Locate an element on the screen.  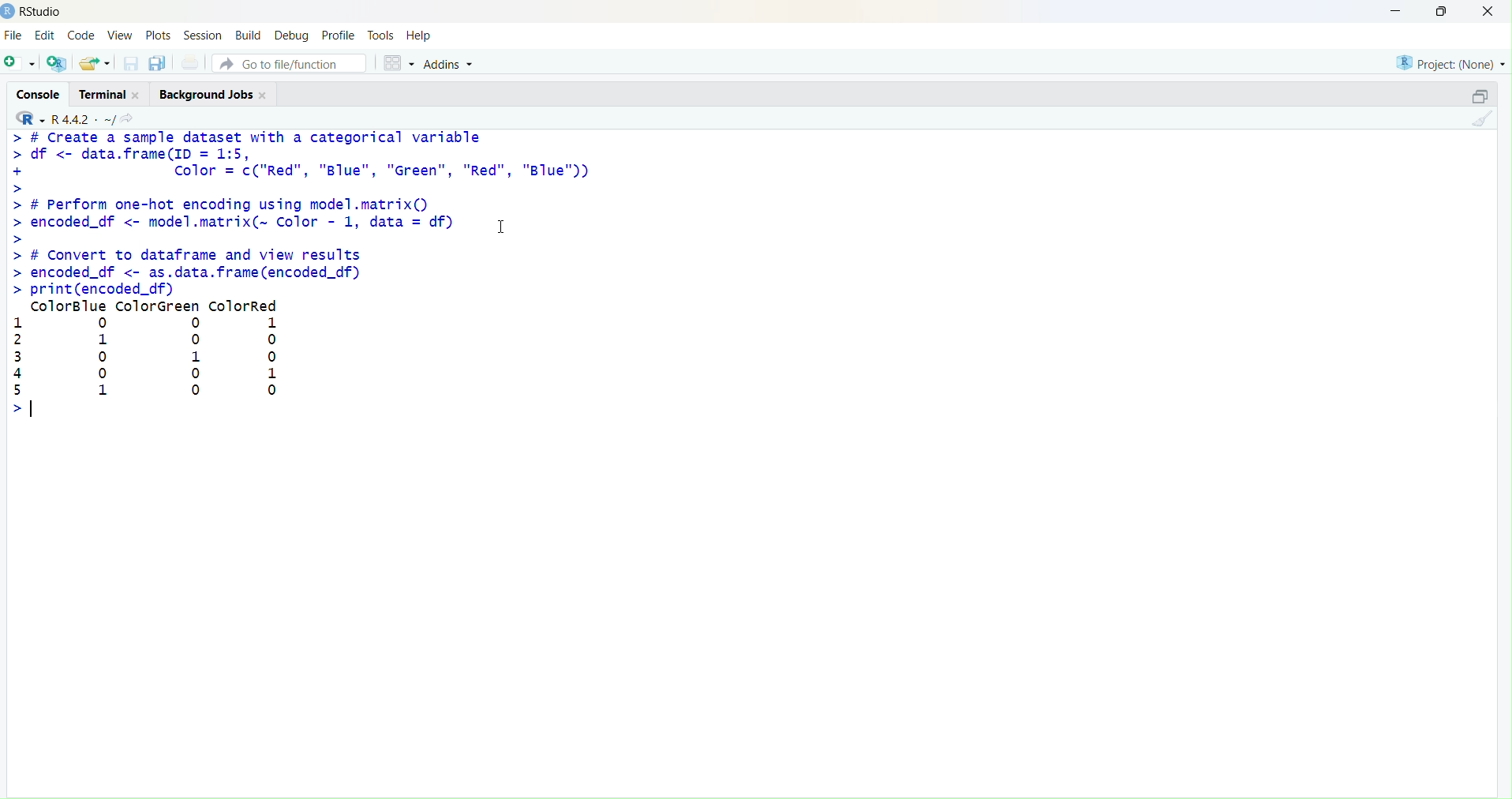
open in separate window  is located at coordinates (1480, 96).